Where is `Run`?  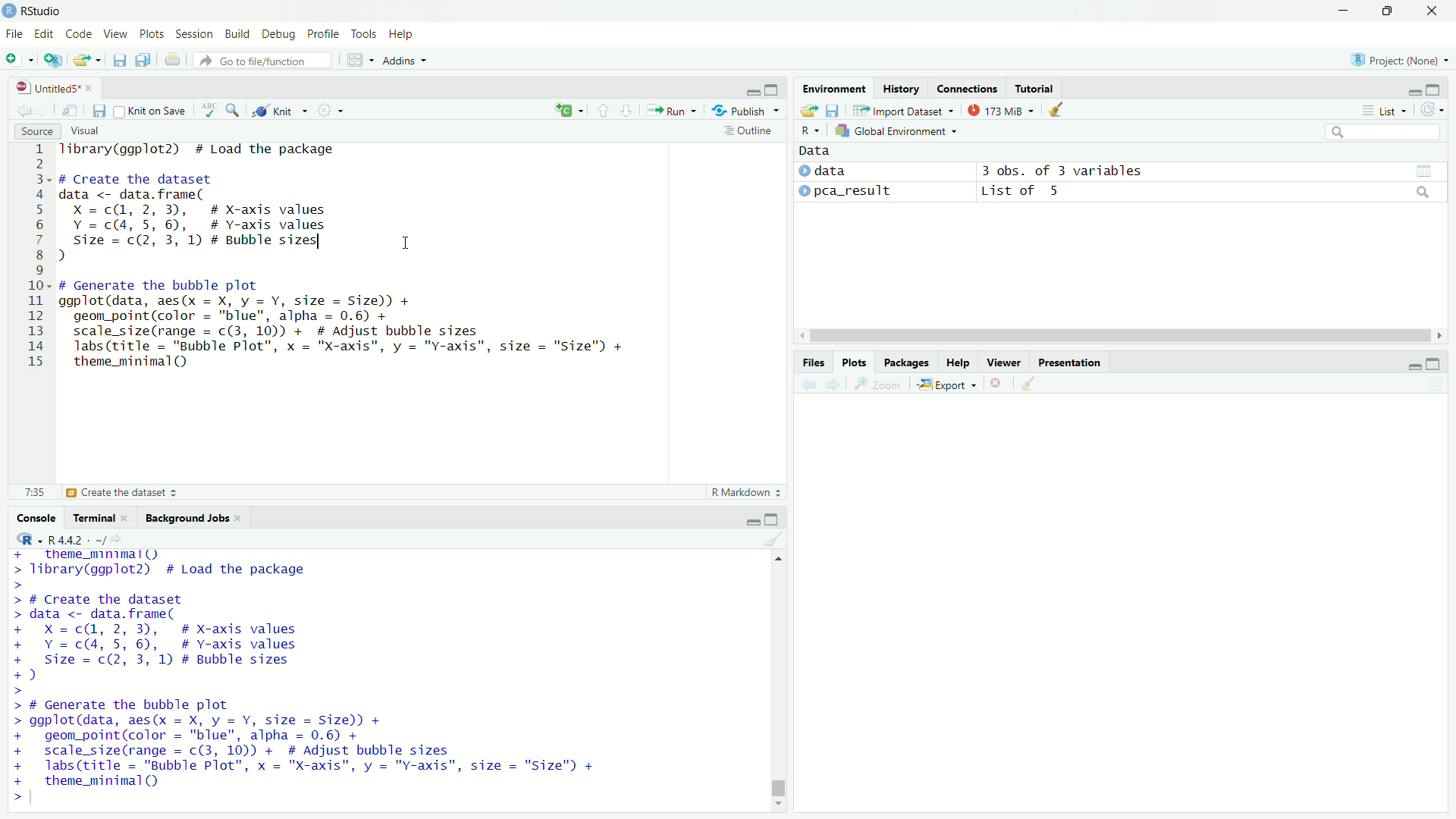 Run is located at coordinates (671, 109).